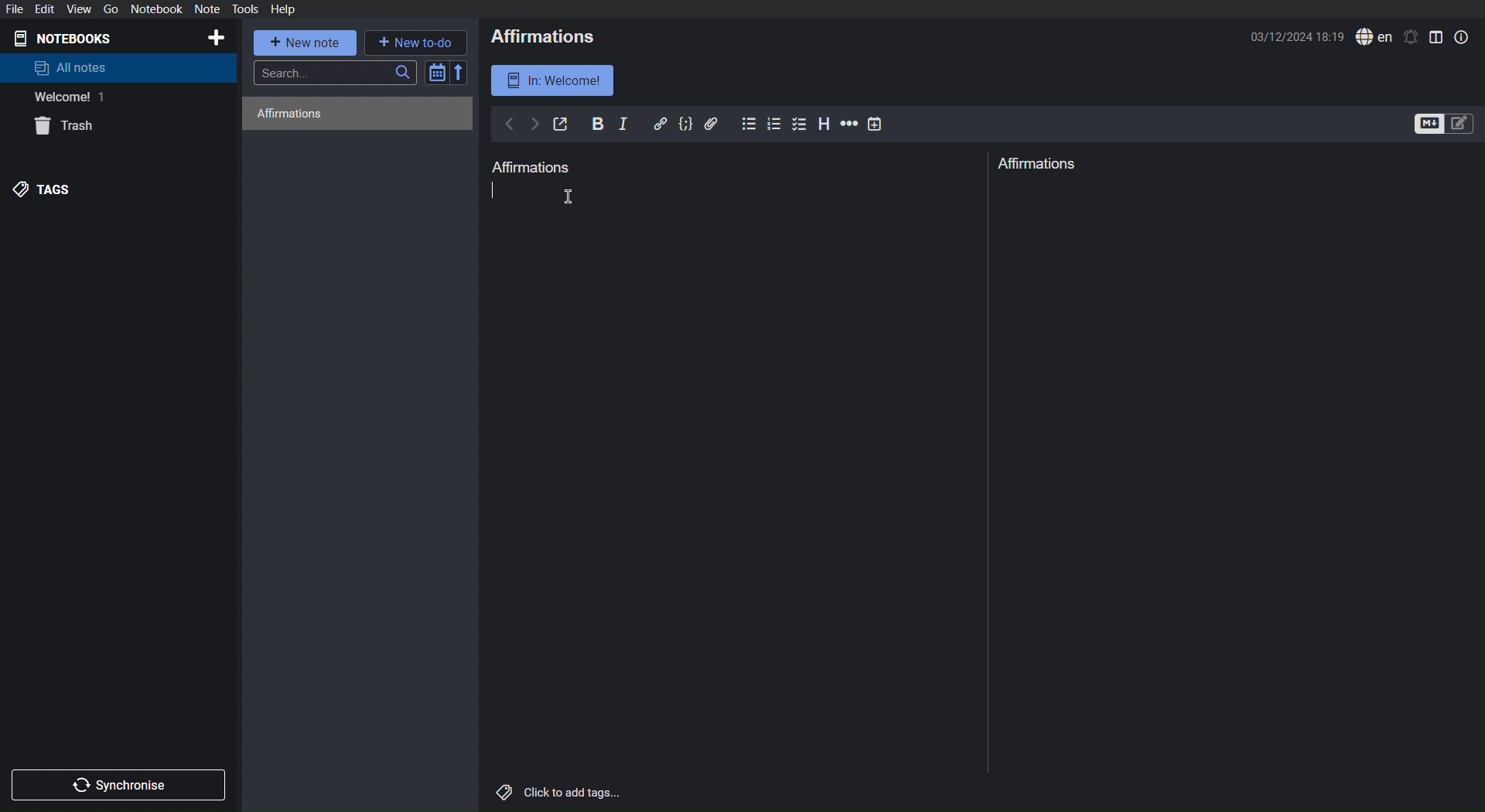  I want to click on Horizontal Rule, so click(848, 125).